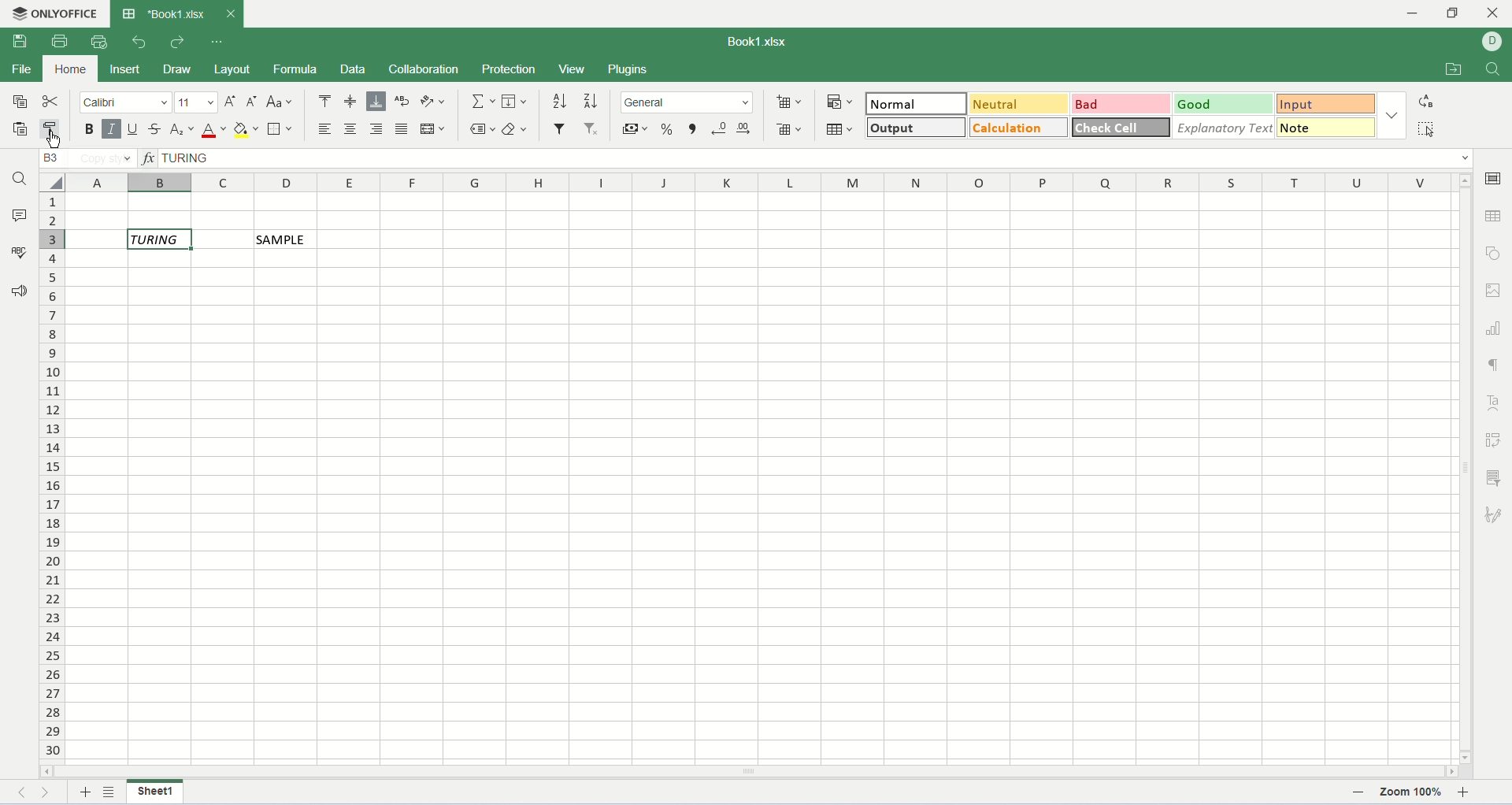 This screenshot has width=1512, height=805. What do you see at coordinates (817, 158) in the screenshot?
I see `input line` at bounding box center [817, 158].